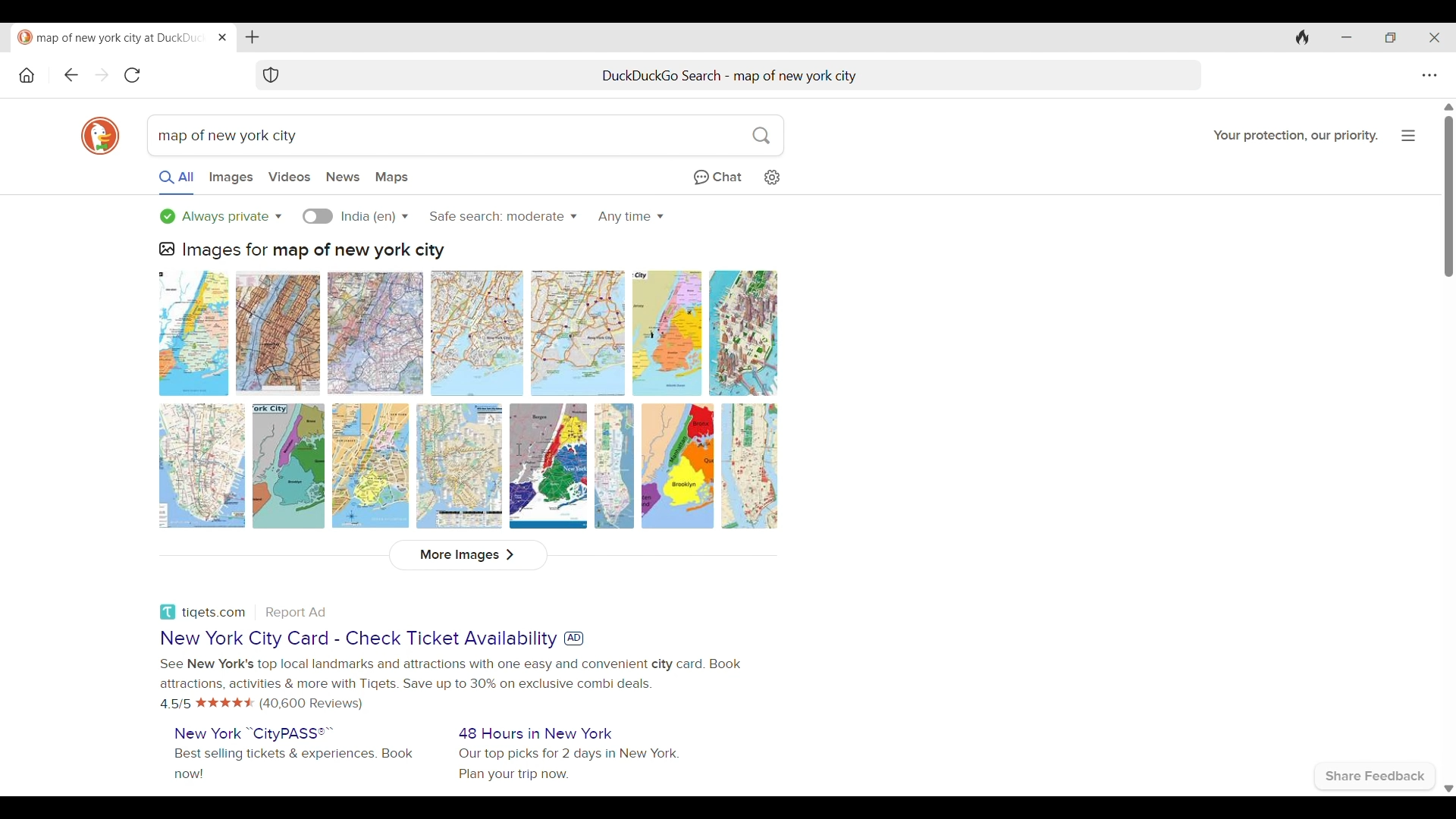 This screenshot has width=1456, height=819. Describe the element at coordinates (101, 75) in the screenshot. I see `Go forward ` at that location.